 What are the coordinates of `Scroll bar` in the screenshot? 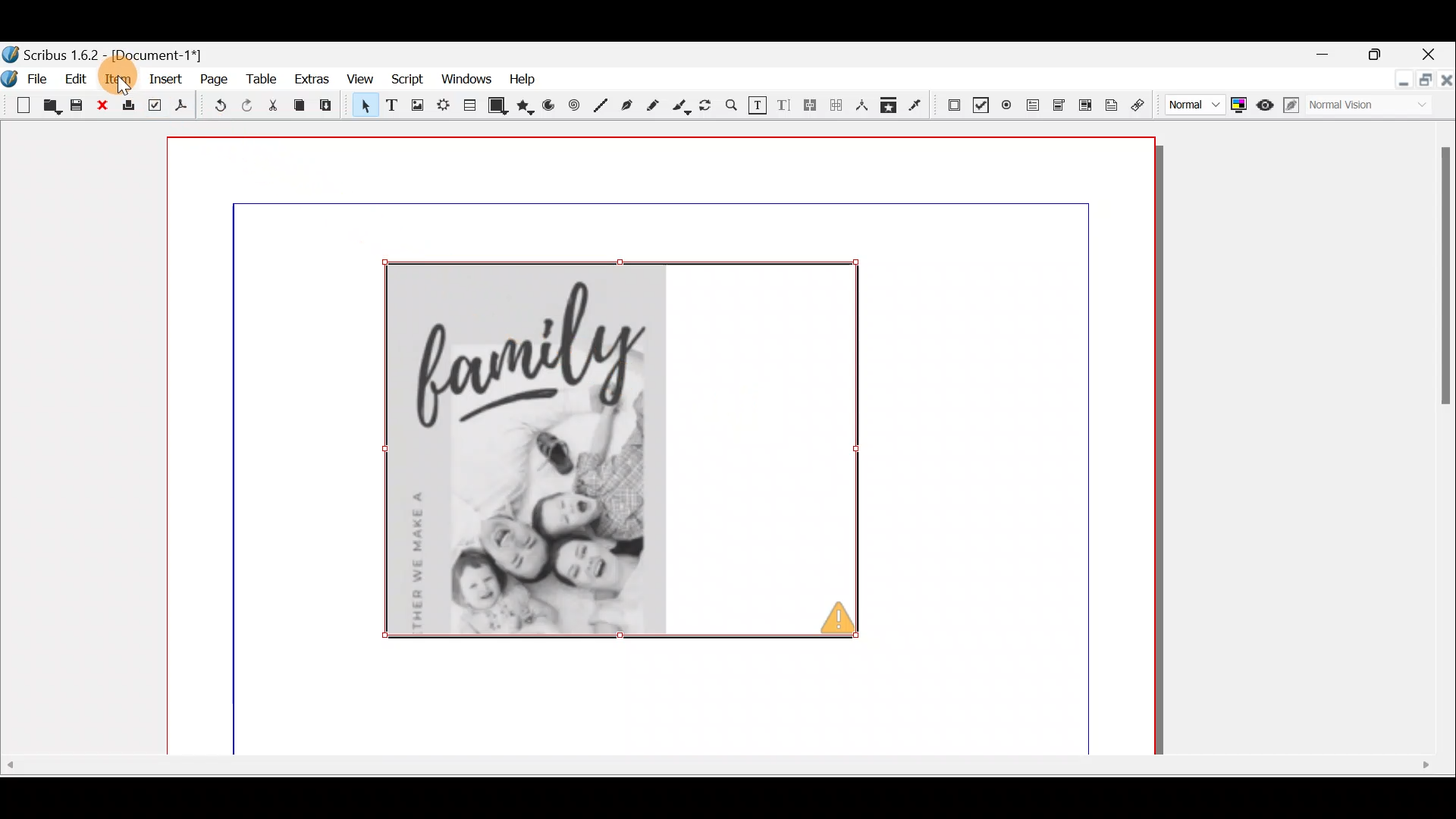 It's located at (718, 781).